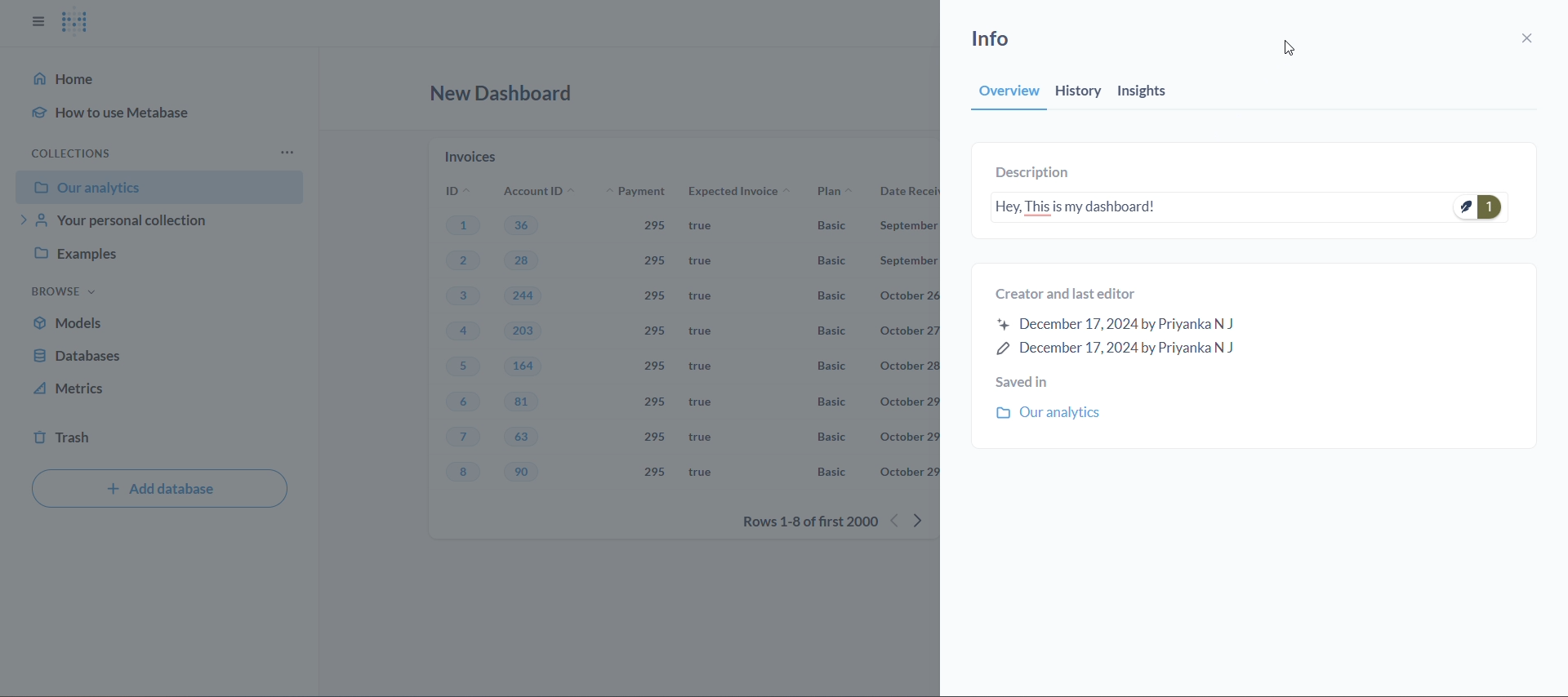 The width and height of the screenshot is (1568, 697). Describe the element at coordinates (835, 331) in the screenshot. I see `Basic` at that location.